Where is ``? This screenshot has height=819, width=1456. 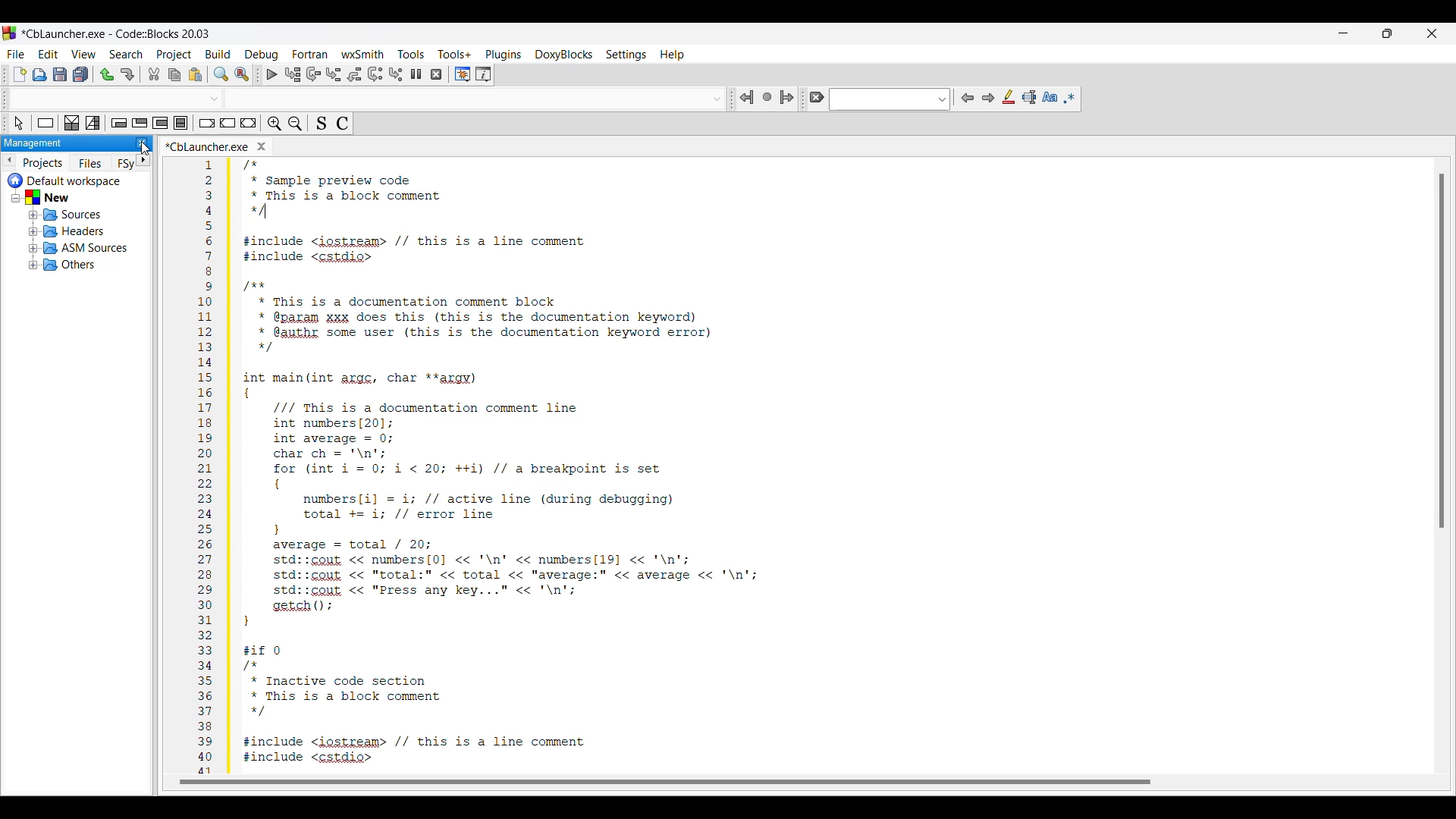
 is located at coordinates (476, 97).